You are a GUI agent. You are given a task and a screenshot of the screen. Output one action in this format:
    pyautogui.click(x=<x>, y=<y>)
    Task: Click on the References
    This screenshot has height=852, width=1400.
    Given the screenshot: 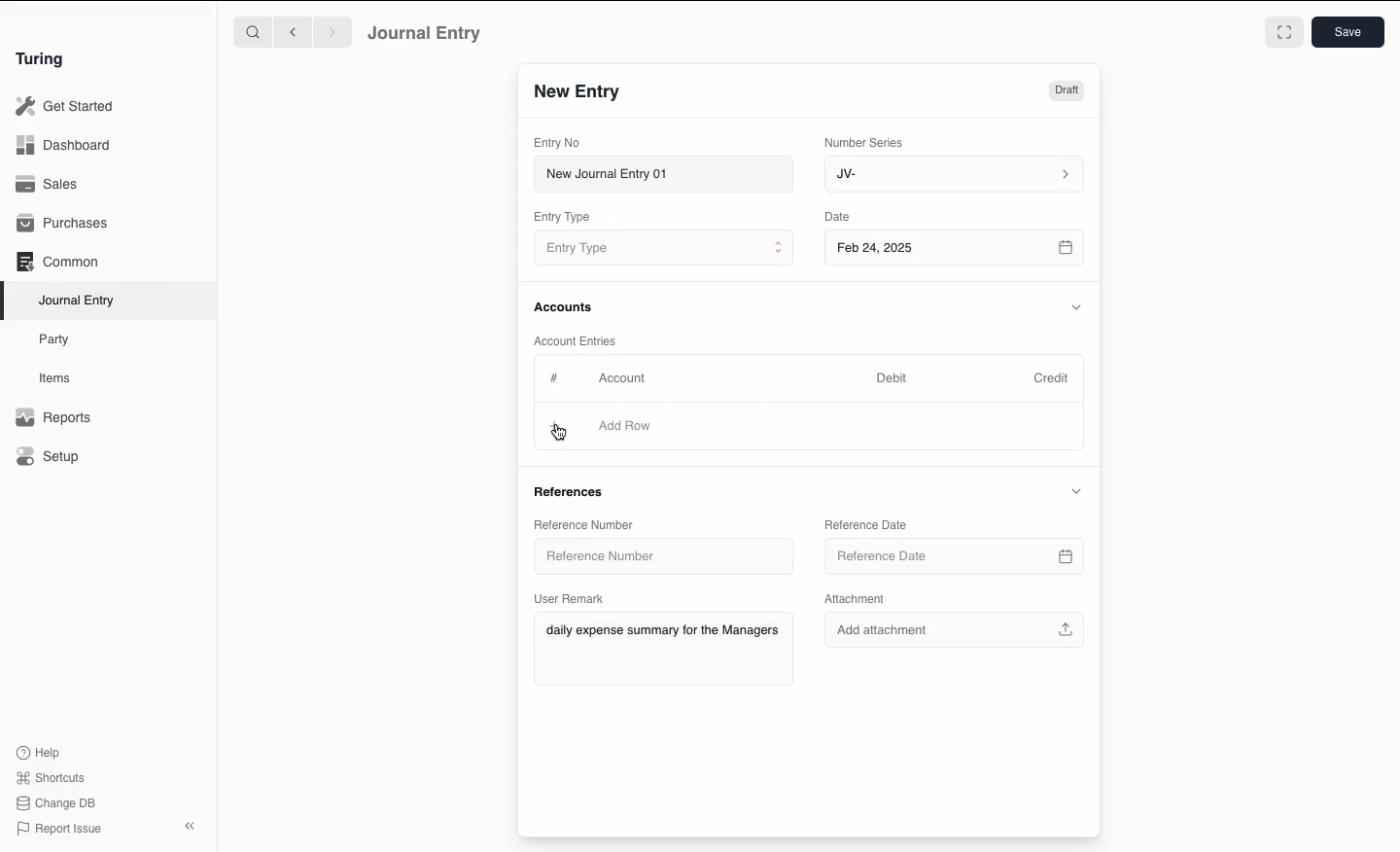 What is the action you would take?
    pyautogui.click(x=576, y=492)
    